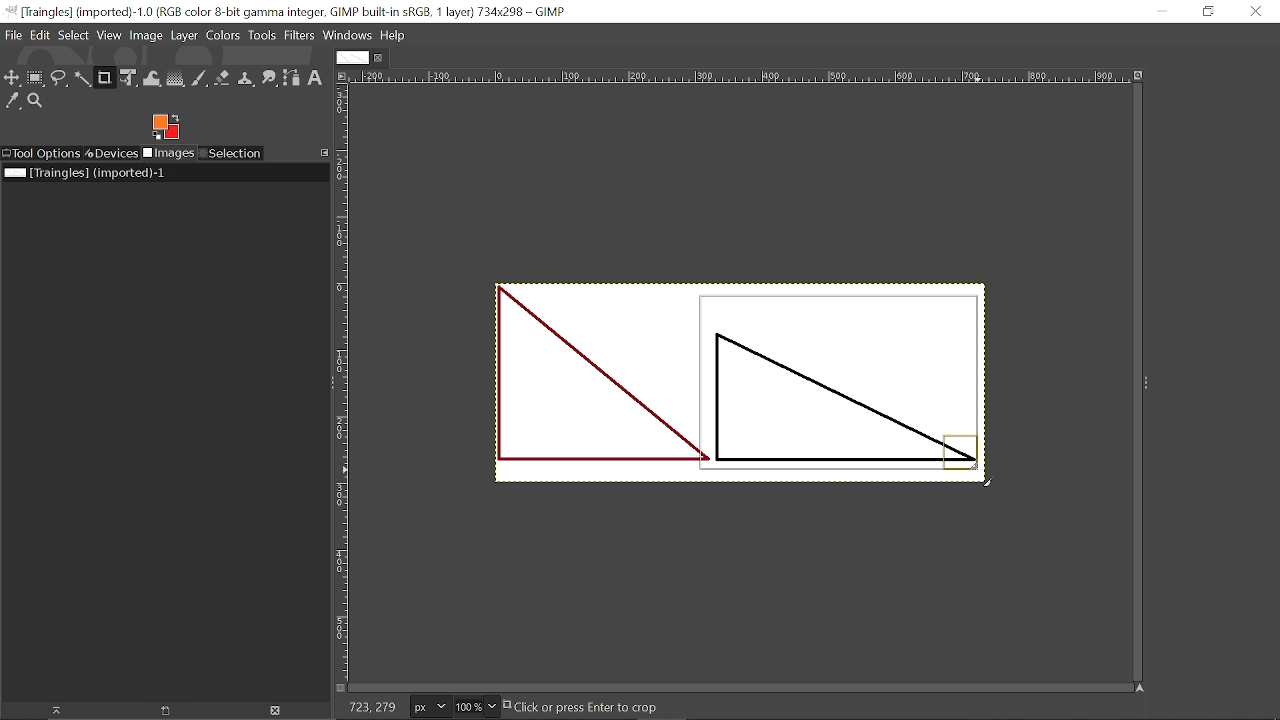  What do you see at coordinates (166, 126) in the screenshot?
I see `The active foreground color` at bounding box center [166, 126].